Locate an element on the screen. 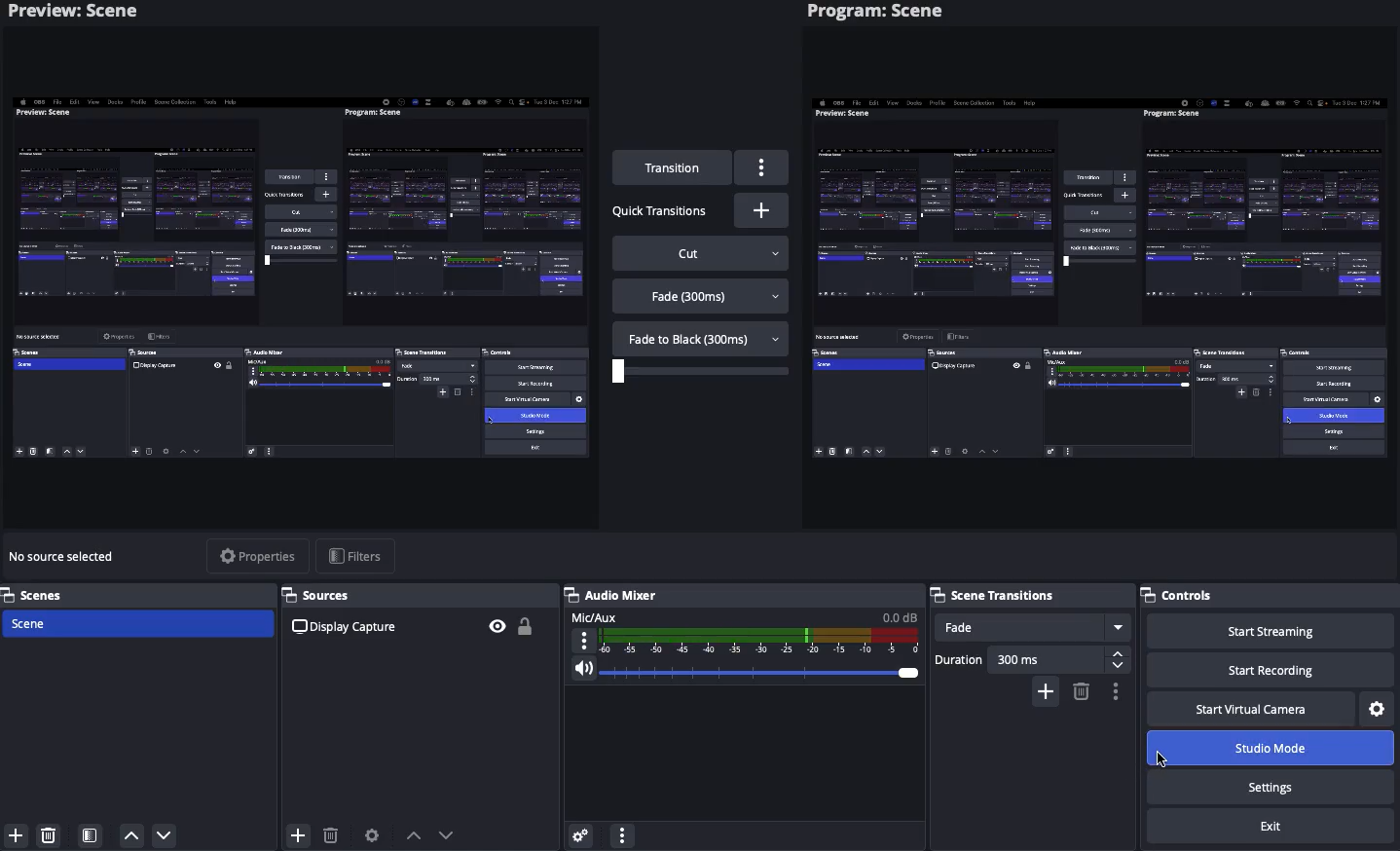  Start streaming is located at coordinates (1275, 631).